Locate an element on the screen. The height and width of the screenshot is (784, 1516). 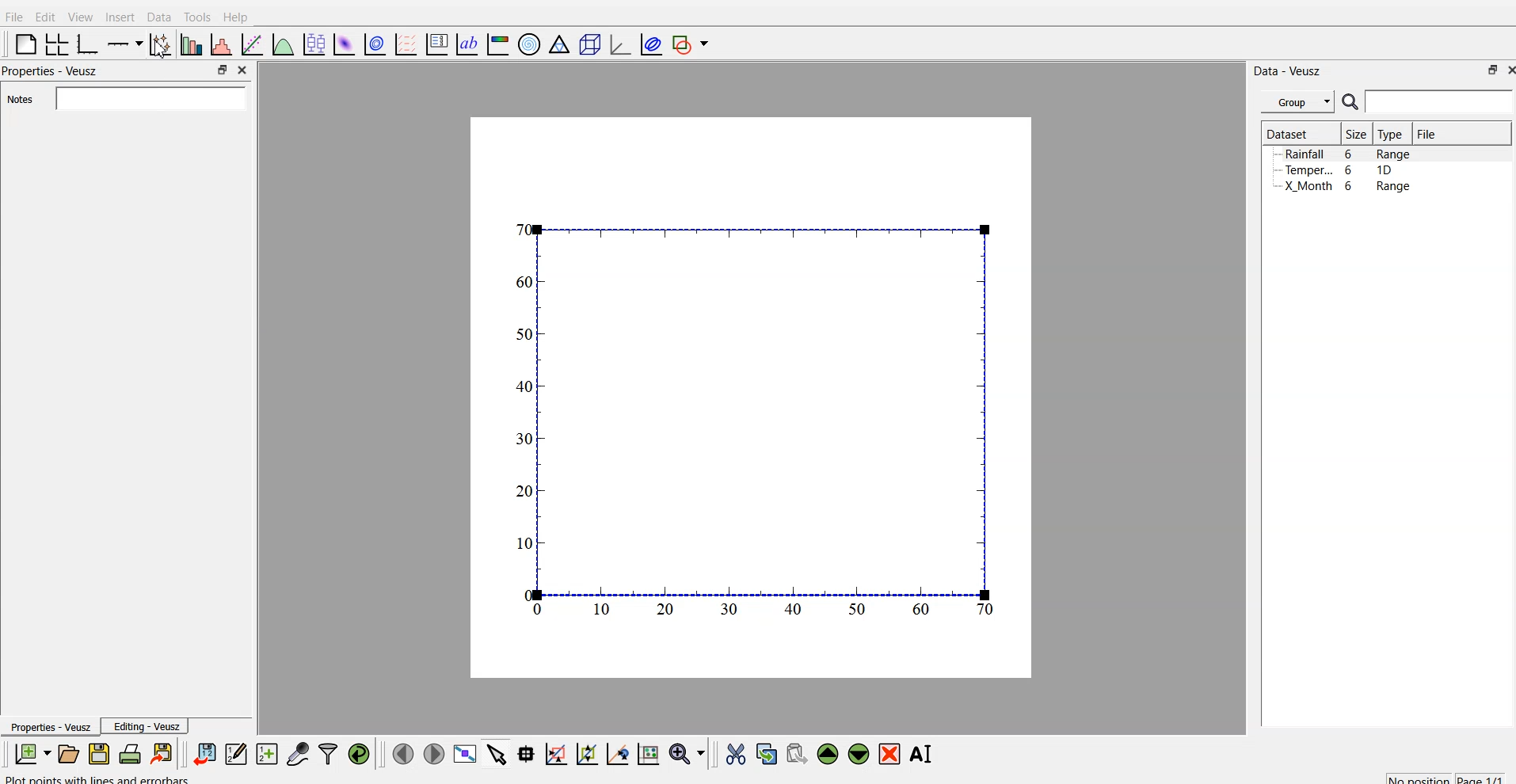
plot a vector field is located at coordinates (404, 45).